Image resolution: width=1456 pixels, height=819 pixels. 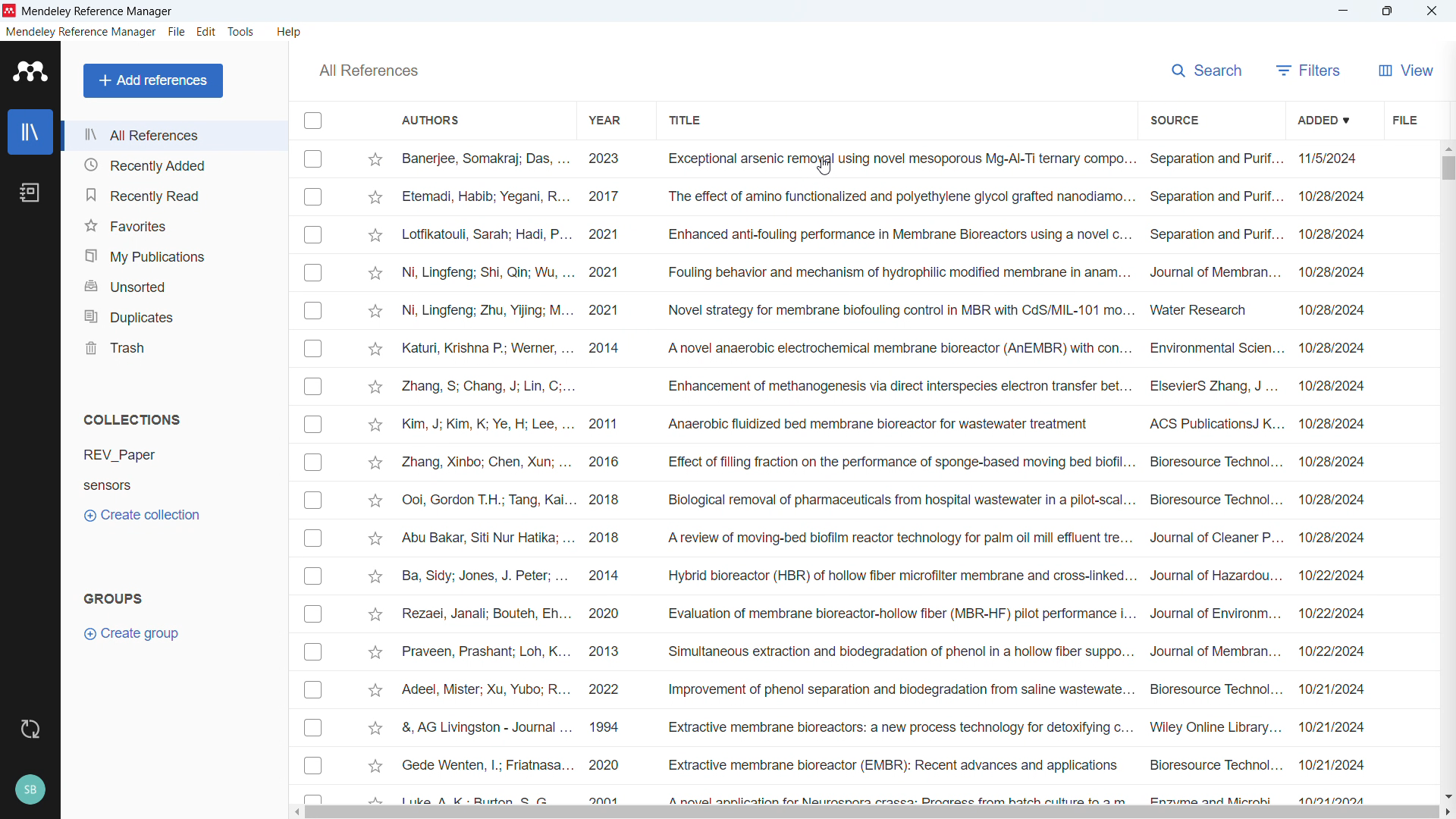 What do you see at coordinates (485, 425) in the screenshot?
I see `kim,j,kim,k,ye,h,lee` at bounding box center [485, 425].